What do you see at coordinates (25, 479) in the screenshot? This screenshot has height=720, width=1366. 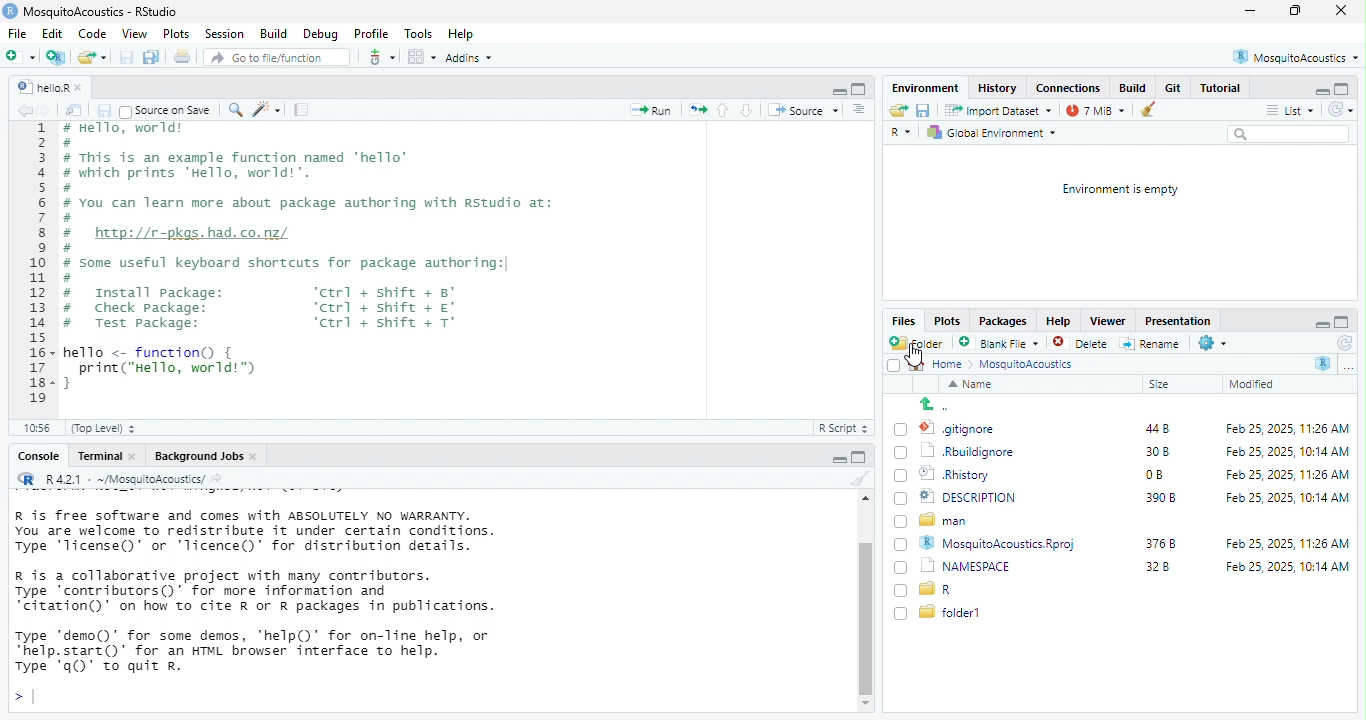 I see `r studio logo` at bounding box center [25, 479].